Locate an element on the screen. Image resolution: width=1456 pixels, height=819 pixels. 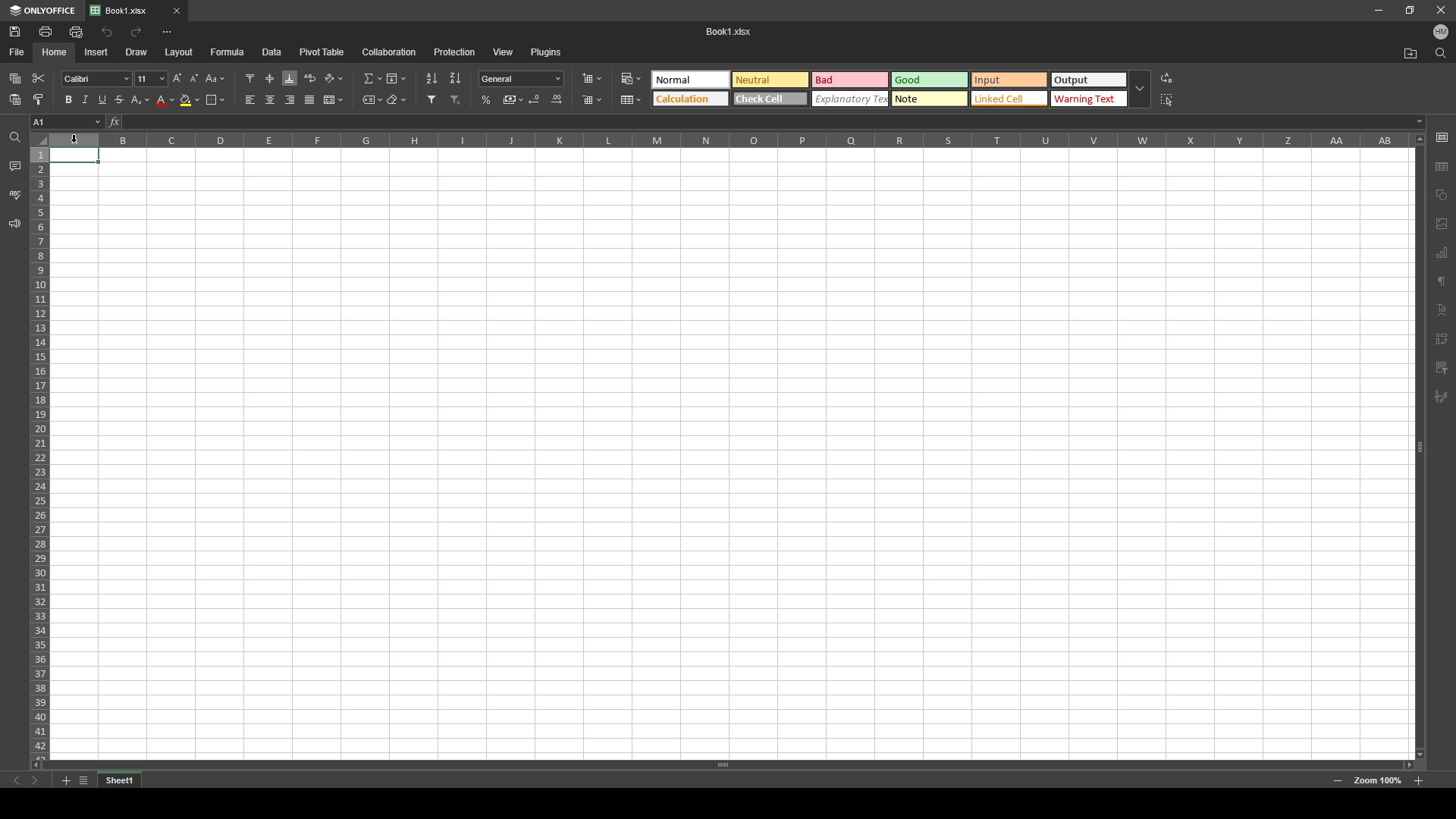
cut is located at coordinates (39, 79).